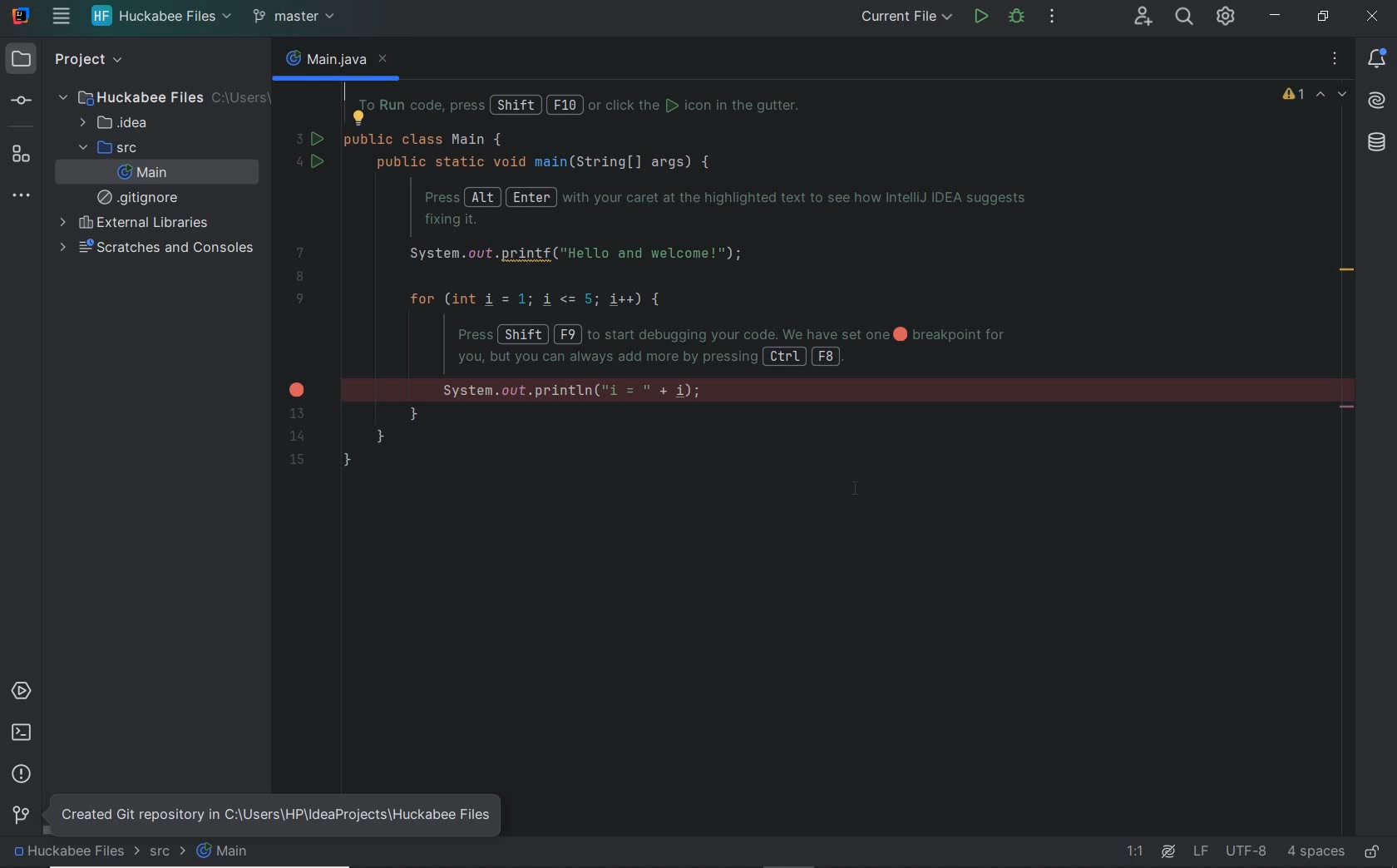 This screenshot has width=1397, height=868. I want to click on RESTORE DOWN, so click(1319, 16).